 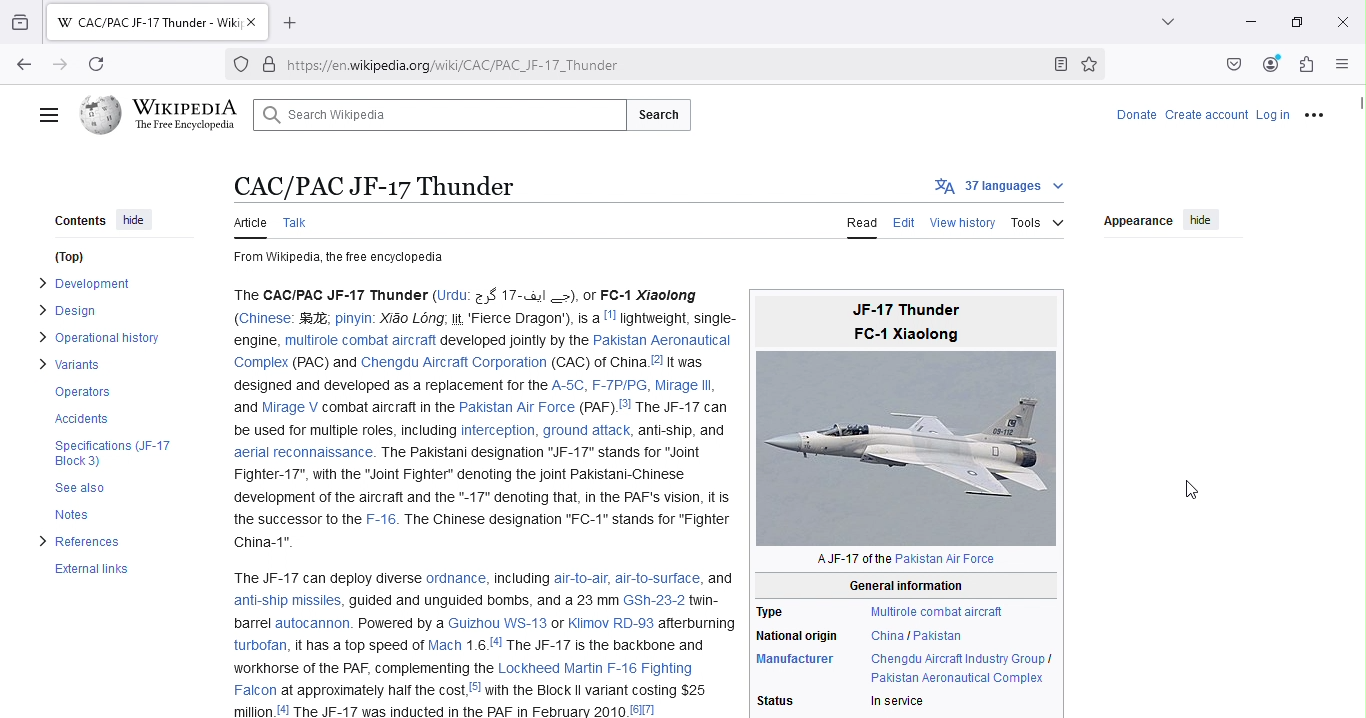 I want to click on Go forward one page, so click(x=60, y=63).